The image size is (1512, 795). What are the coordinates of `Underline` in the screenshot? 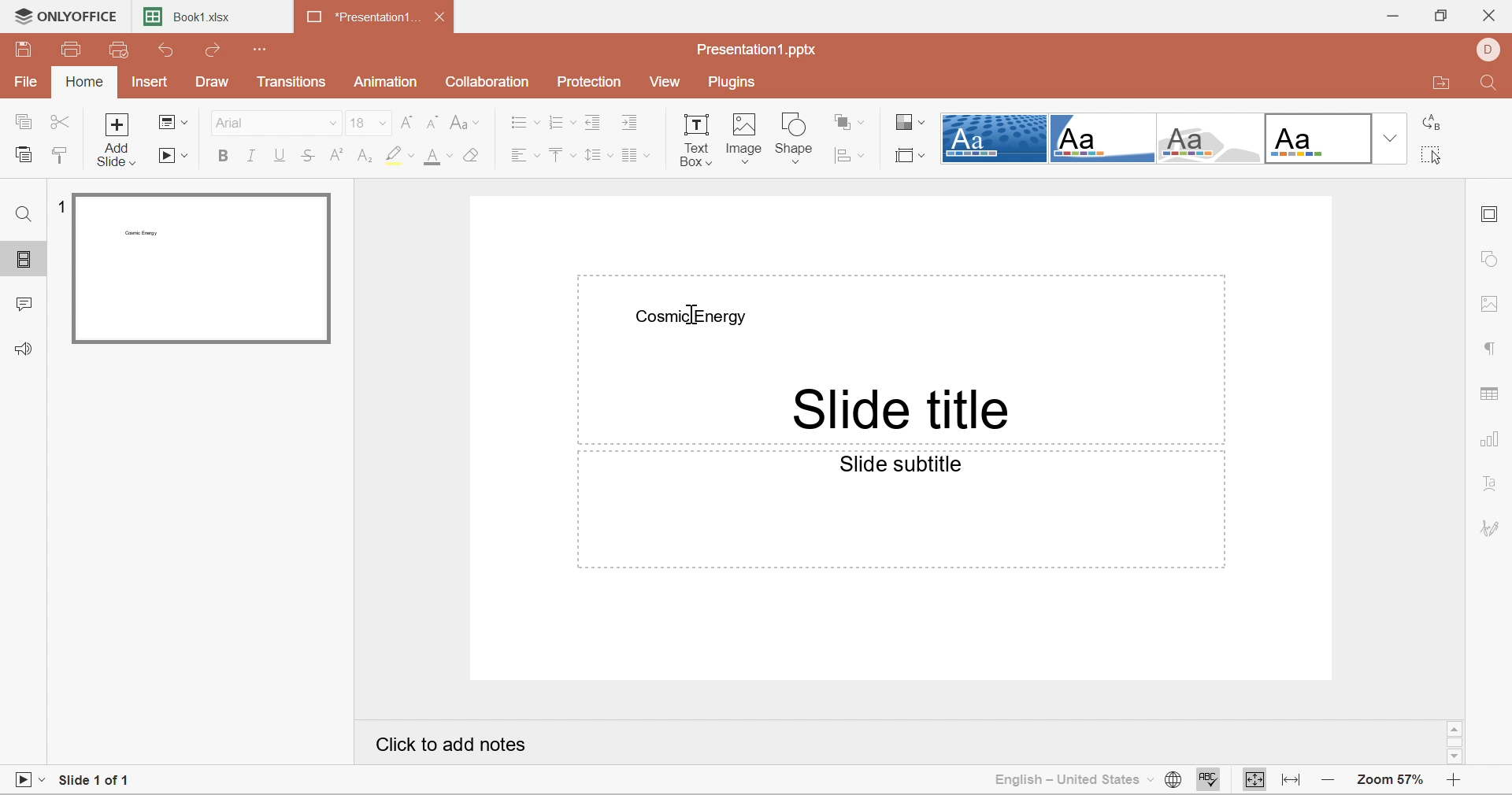 It's located at (280, 156).